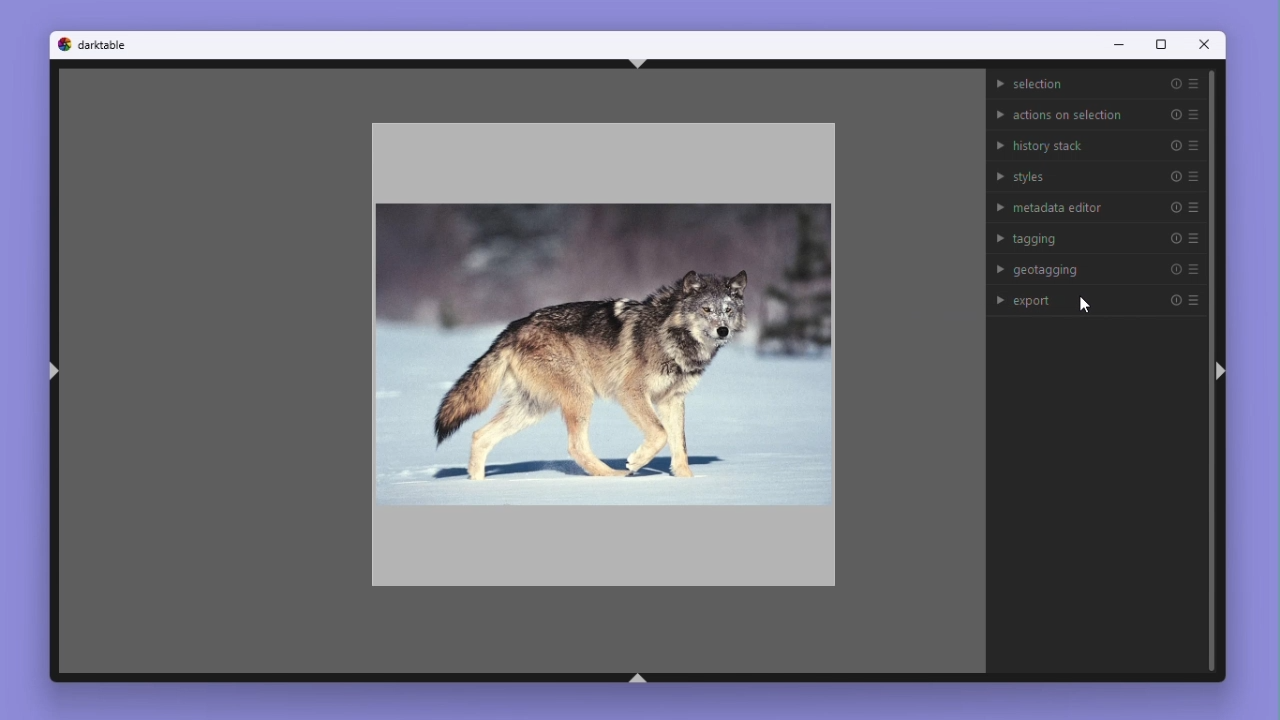 The image size is (1280, 720). What do you see at coordinates (1118, 45) in the screenshot?
I see `Minimise` at bounding box center [1118, 45].